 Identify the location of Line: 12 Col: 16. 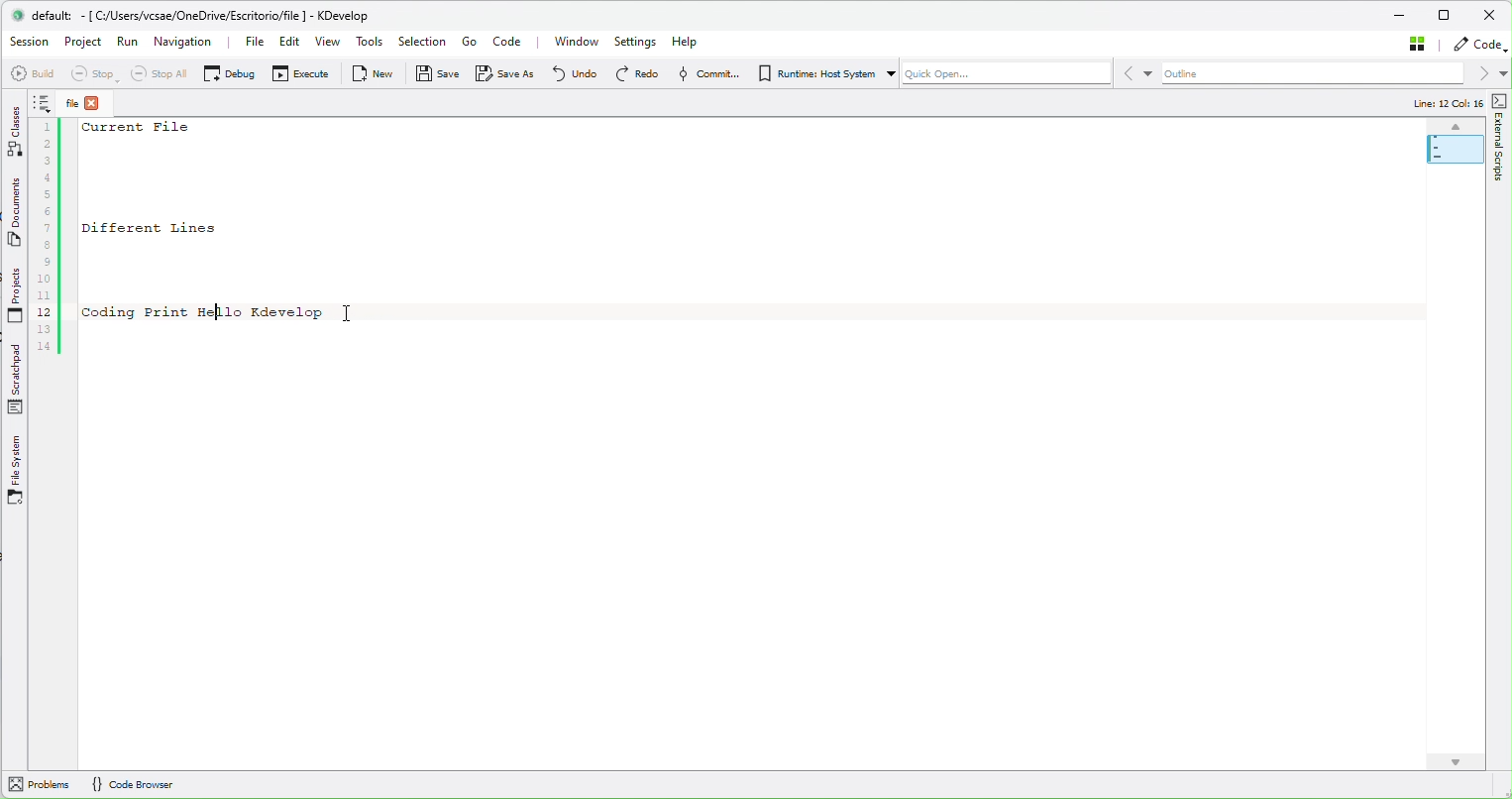
(1437, 102).